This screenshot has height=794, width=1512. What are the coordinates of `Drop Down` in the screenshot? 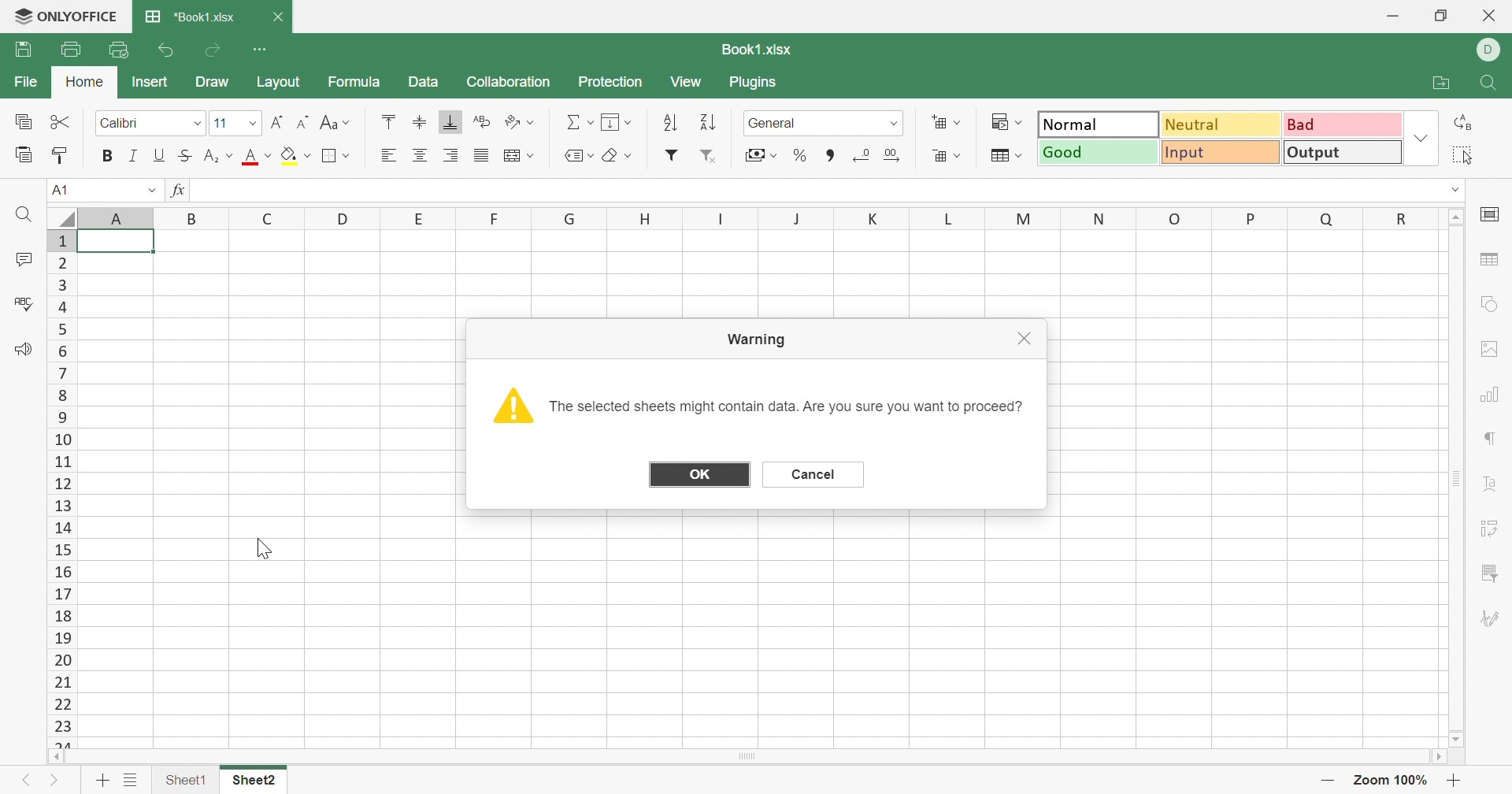 It's located at (535, 121).